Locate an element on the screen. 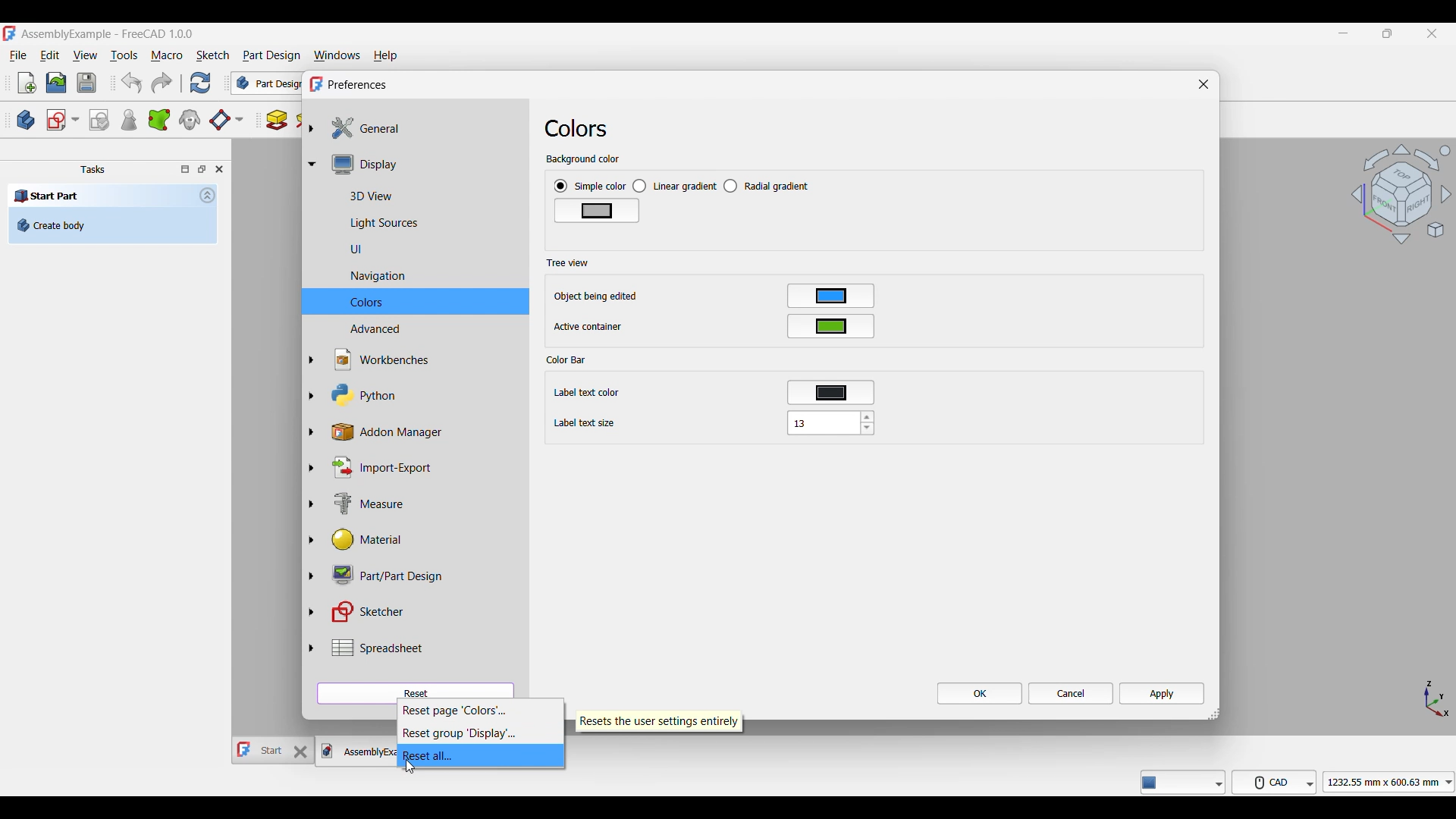 The height and width of the screenshot is (819, 1456). Resets the user settings entirely is located at coordinates (660, 721).